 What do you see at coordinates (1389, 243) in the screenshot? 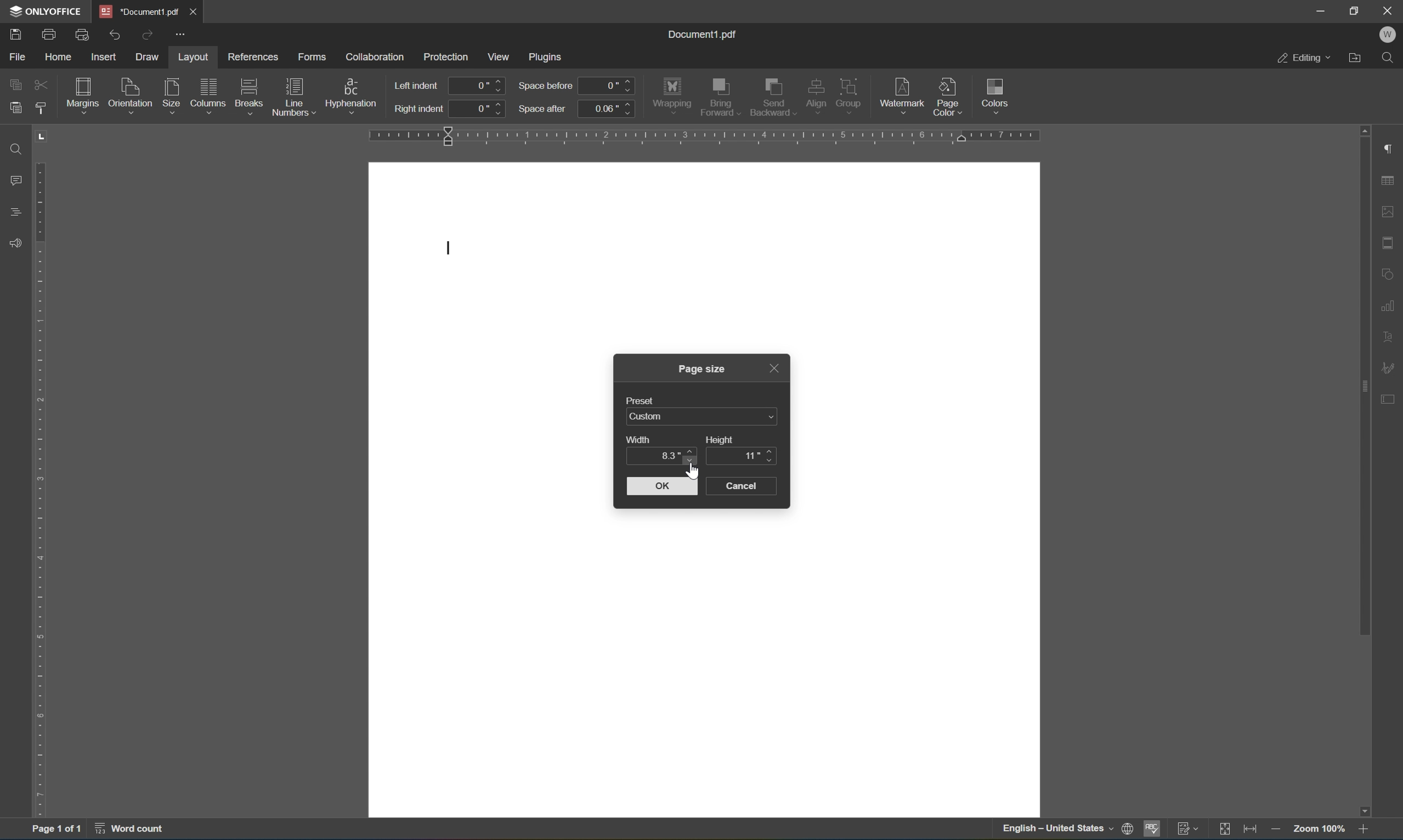
I see `header & footer settings` at bounding box center [1389, 243].